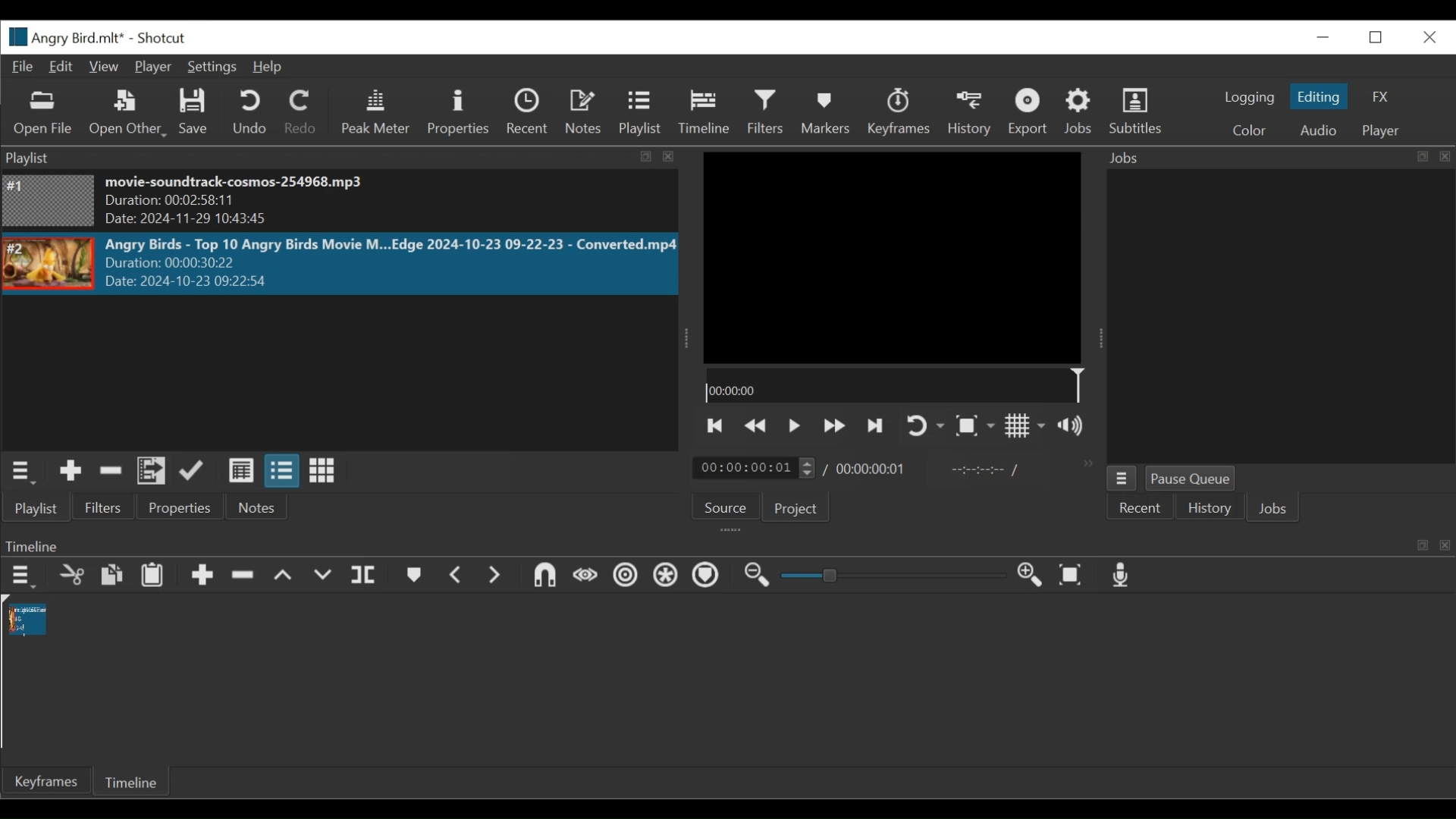 This screenshot has height=819, width=1456. Describe the element at coordinates (1030, 113) in the screenshot. I see `Exort` at that location.